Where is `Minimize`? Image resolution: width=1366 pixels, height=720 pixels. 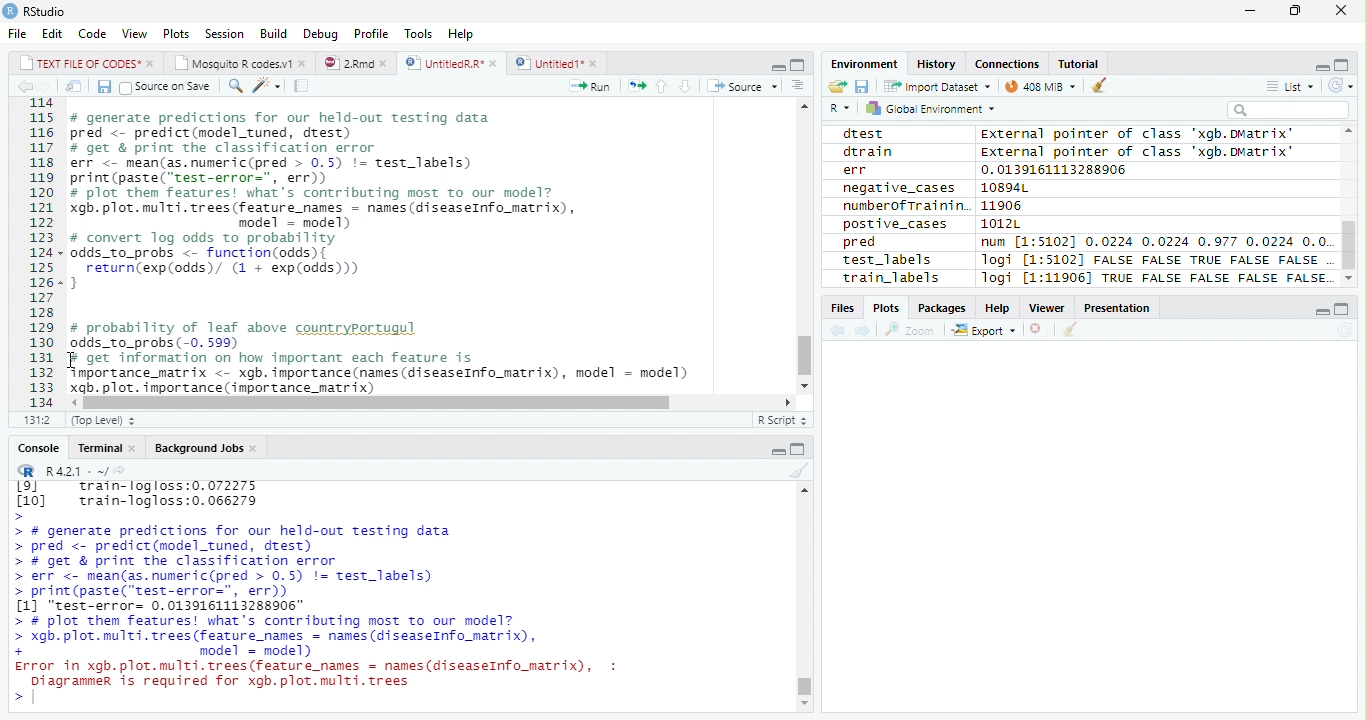 Minimize is located at coordinates (779, 451).